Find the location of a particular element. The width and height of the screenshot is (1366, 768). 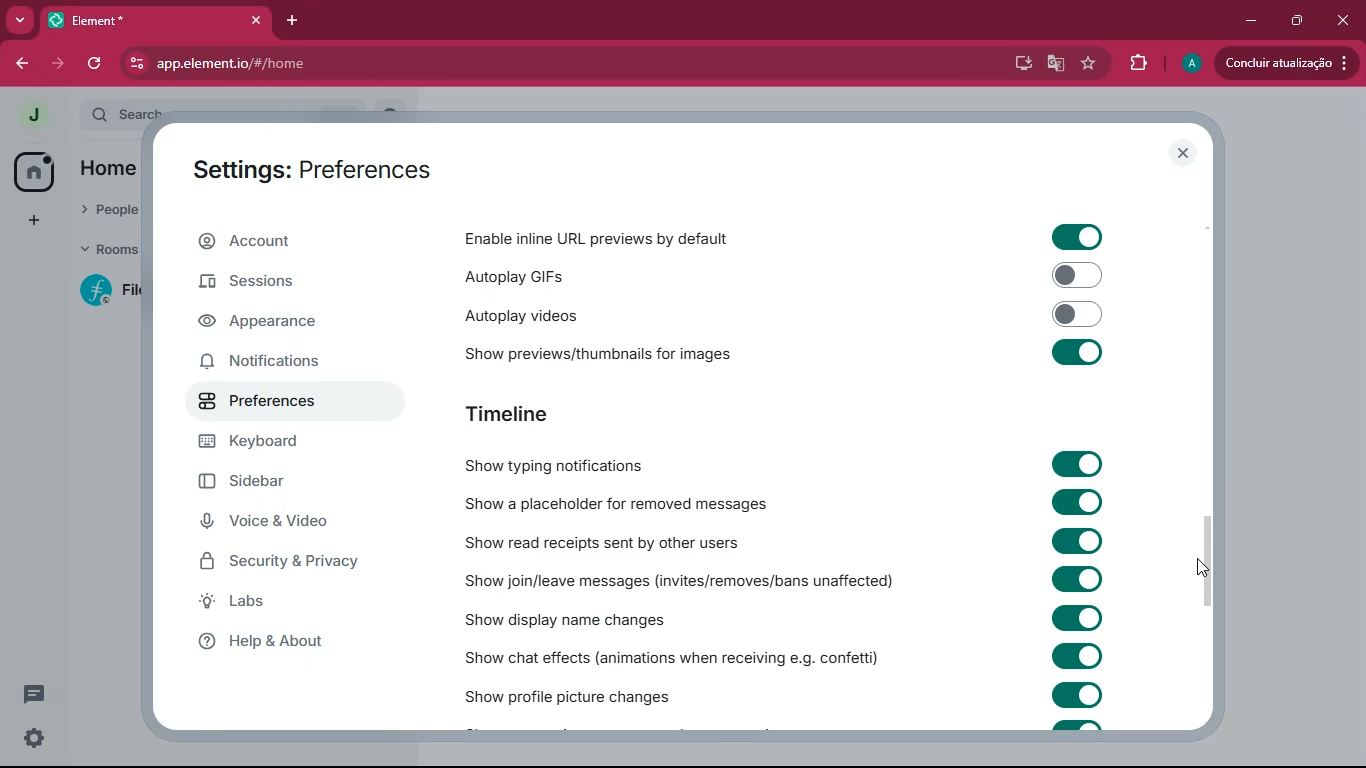

threads is located at coordinates (32, 695).